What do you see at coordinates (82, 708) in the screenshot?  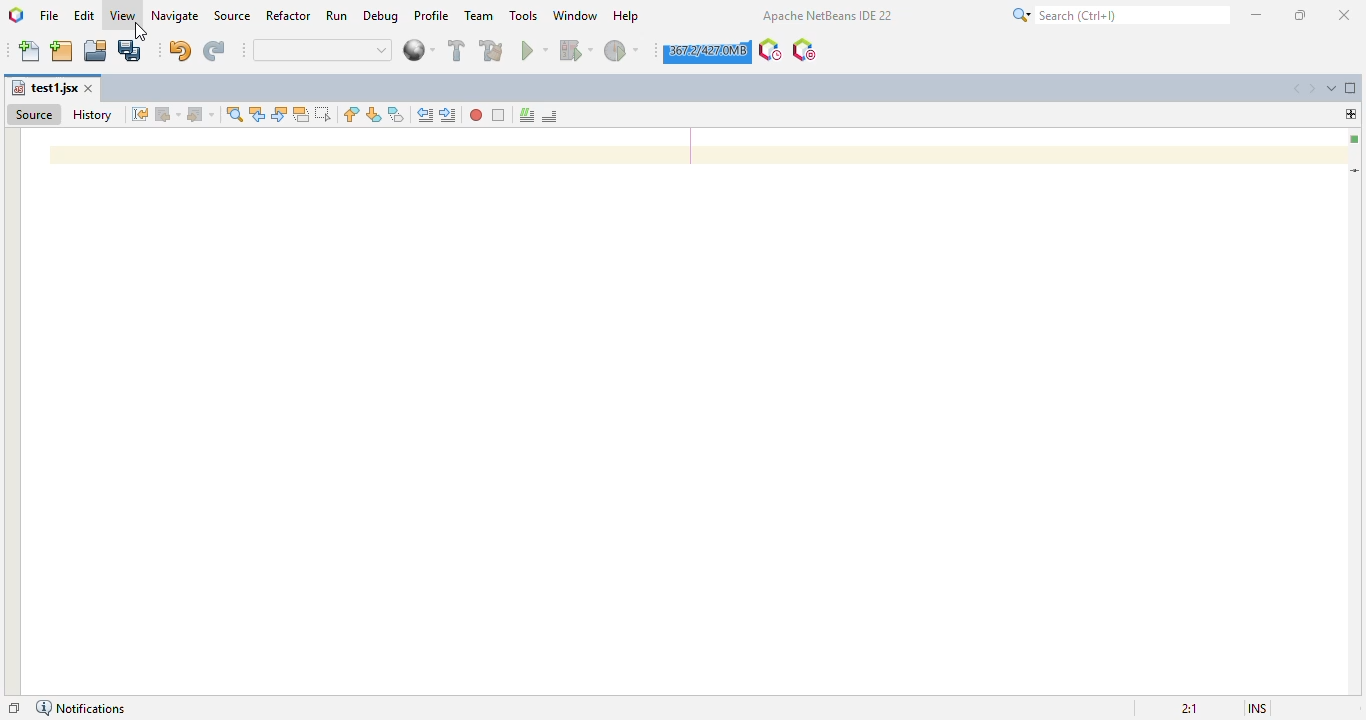 I see `notifications` at bounding box center [82, 708].